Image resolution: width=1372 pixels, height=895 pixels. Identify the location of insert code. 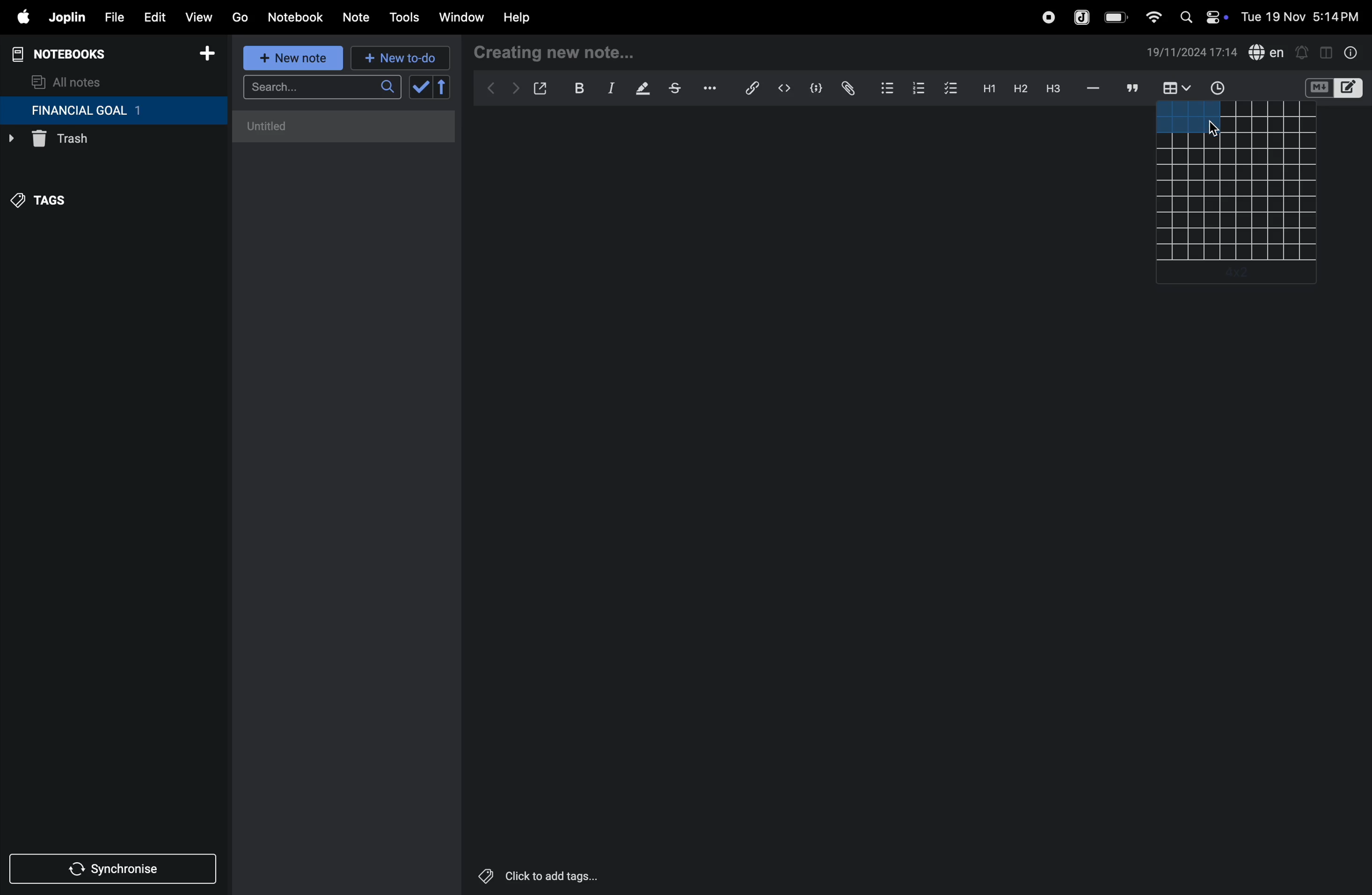
(785, 88).